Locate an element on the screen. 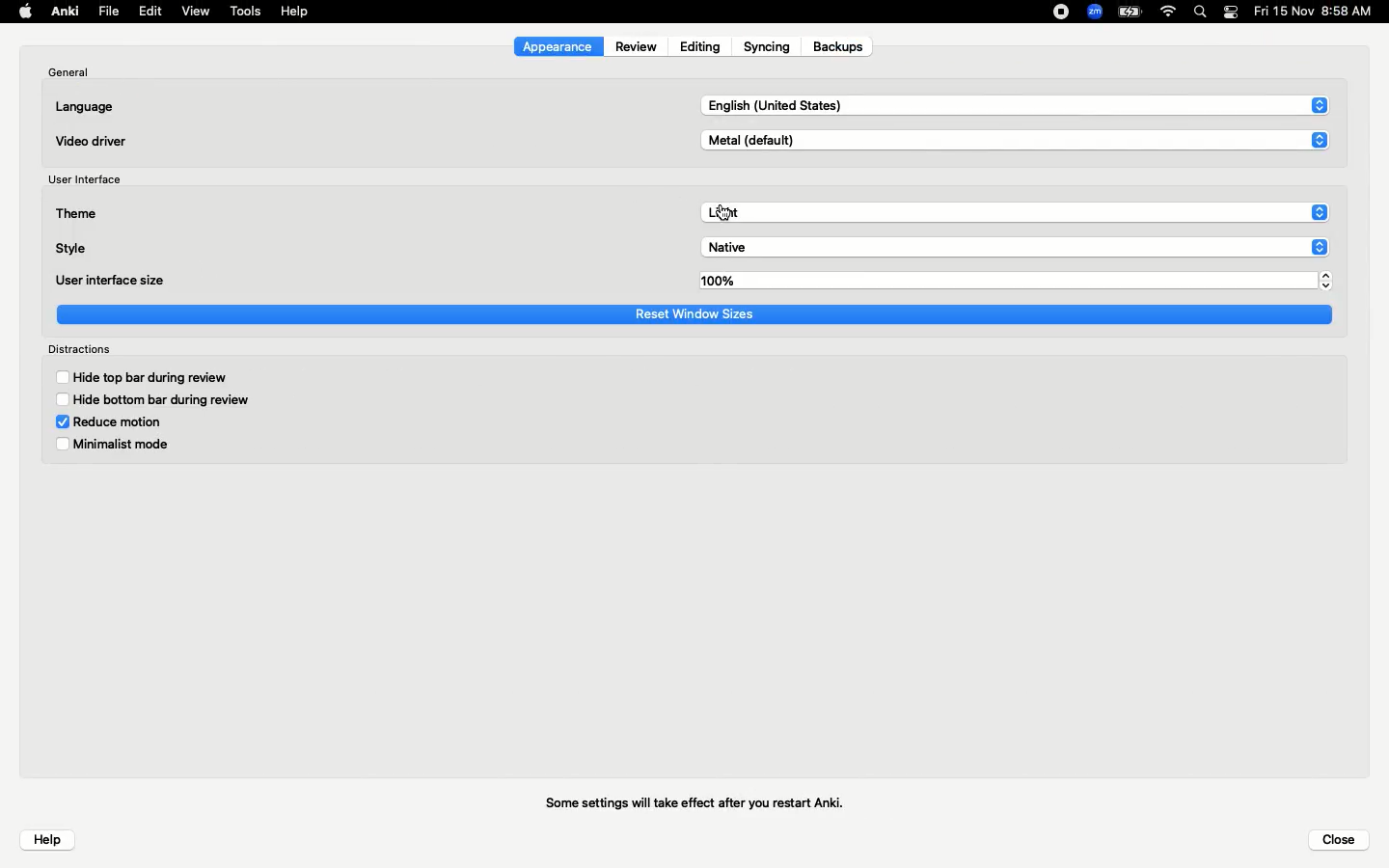 This screenshot has width=1389, height=868. Metal is located at coordinates (1013, 140).